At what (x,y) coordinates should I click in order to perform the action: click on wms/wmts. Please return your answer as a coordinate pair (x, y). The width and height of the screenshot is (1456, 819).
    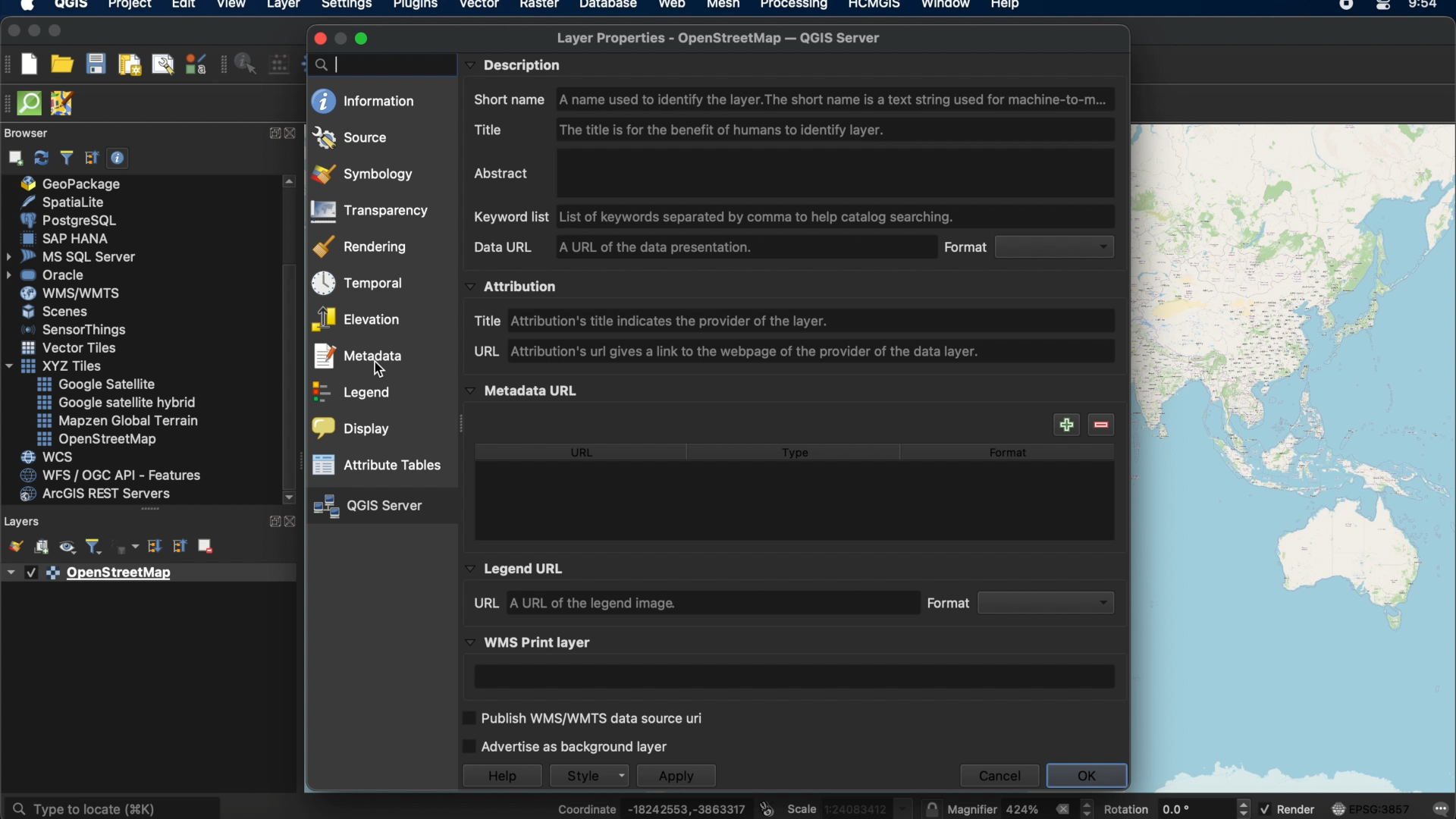
    Looking at the image, I should click on (65, 293).